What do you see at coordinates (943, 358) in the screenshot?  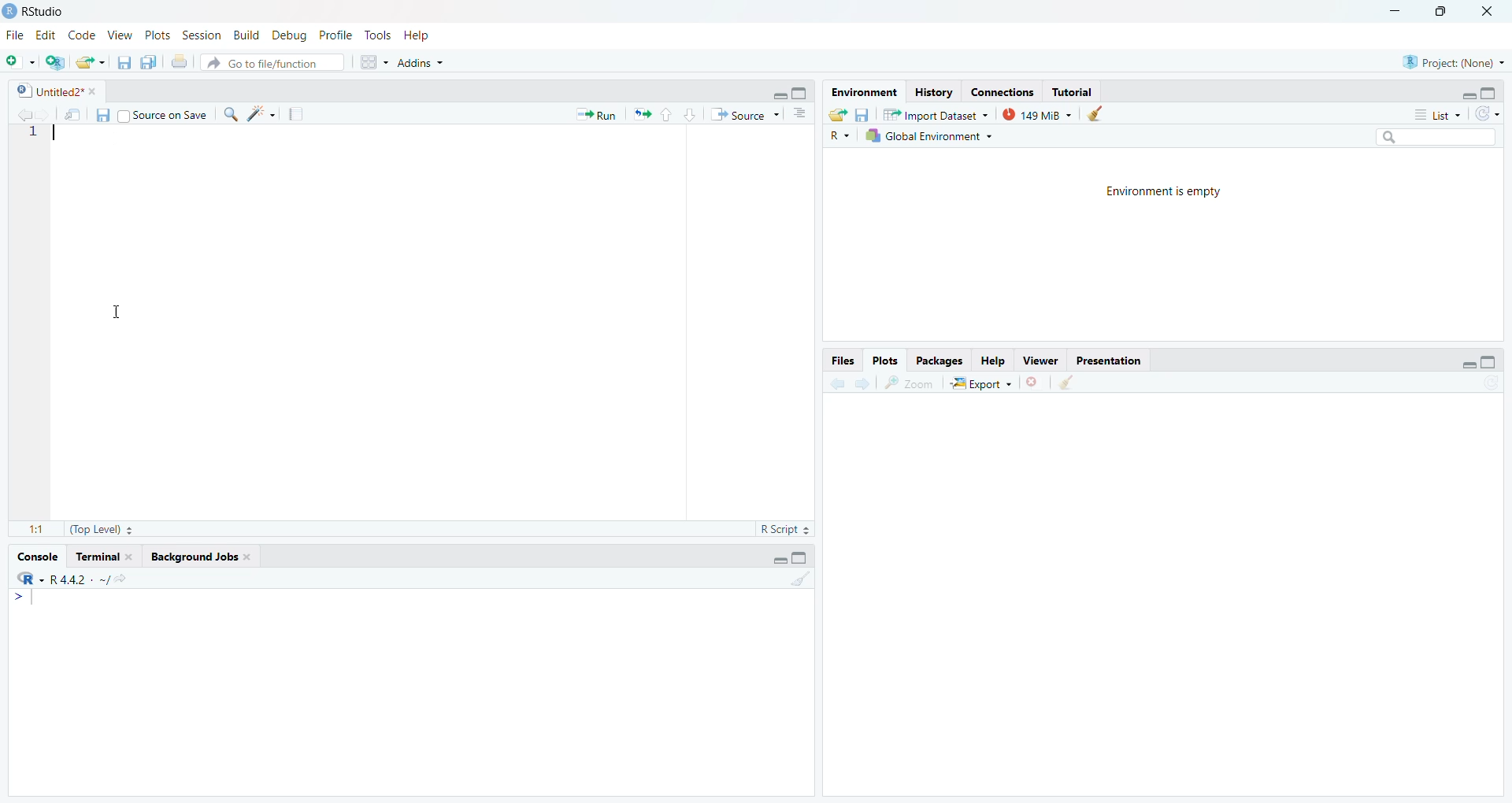 I see `Packages` at bounding box center [943, 358].